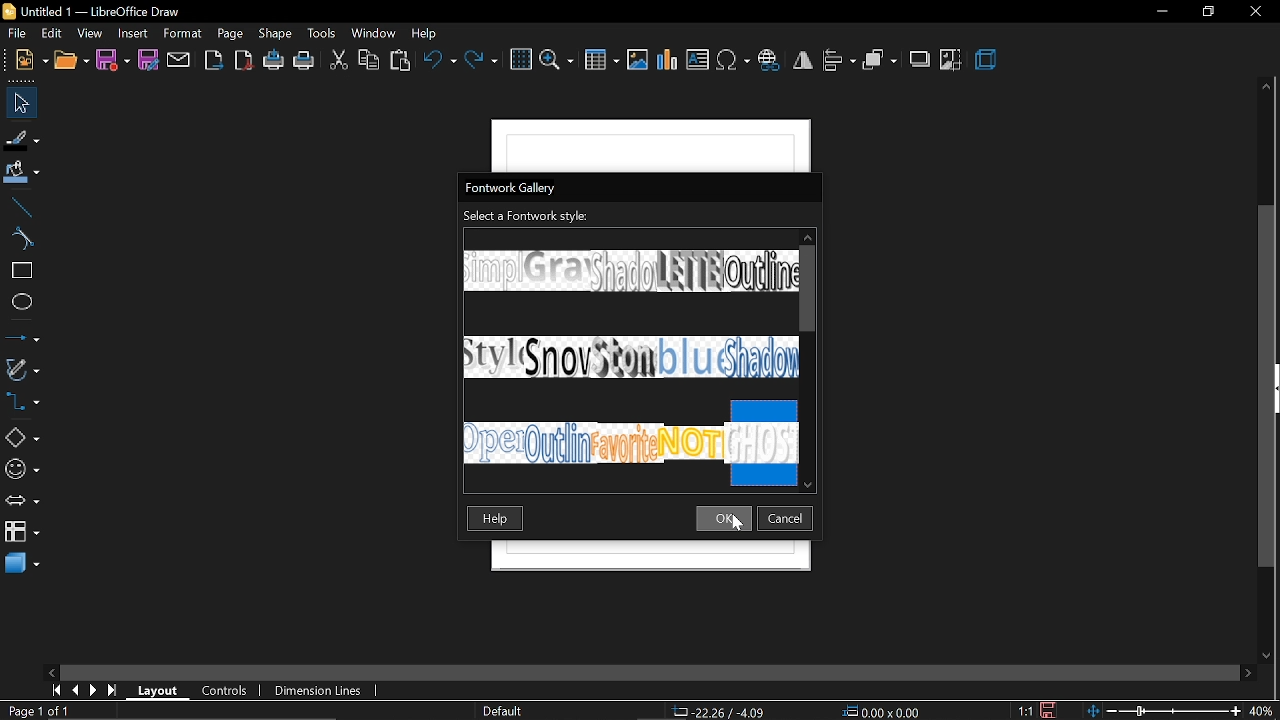  Describe the element at coordinates (838, 62) in the screenshot. I see `align` at that location.